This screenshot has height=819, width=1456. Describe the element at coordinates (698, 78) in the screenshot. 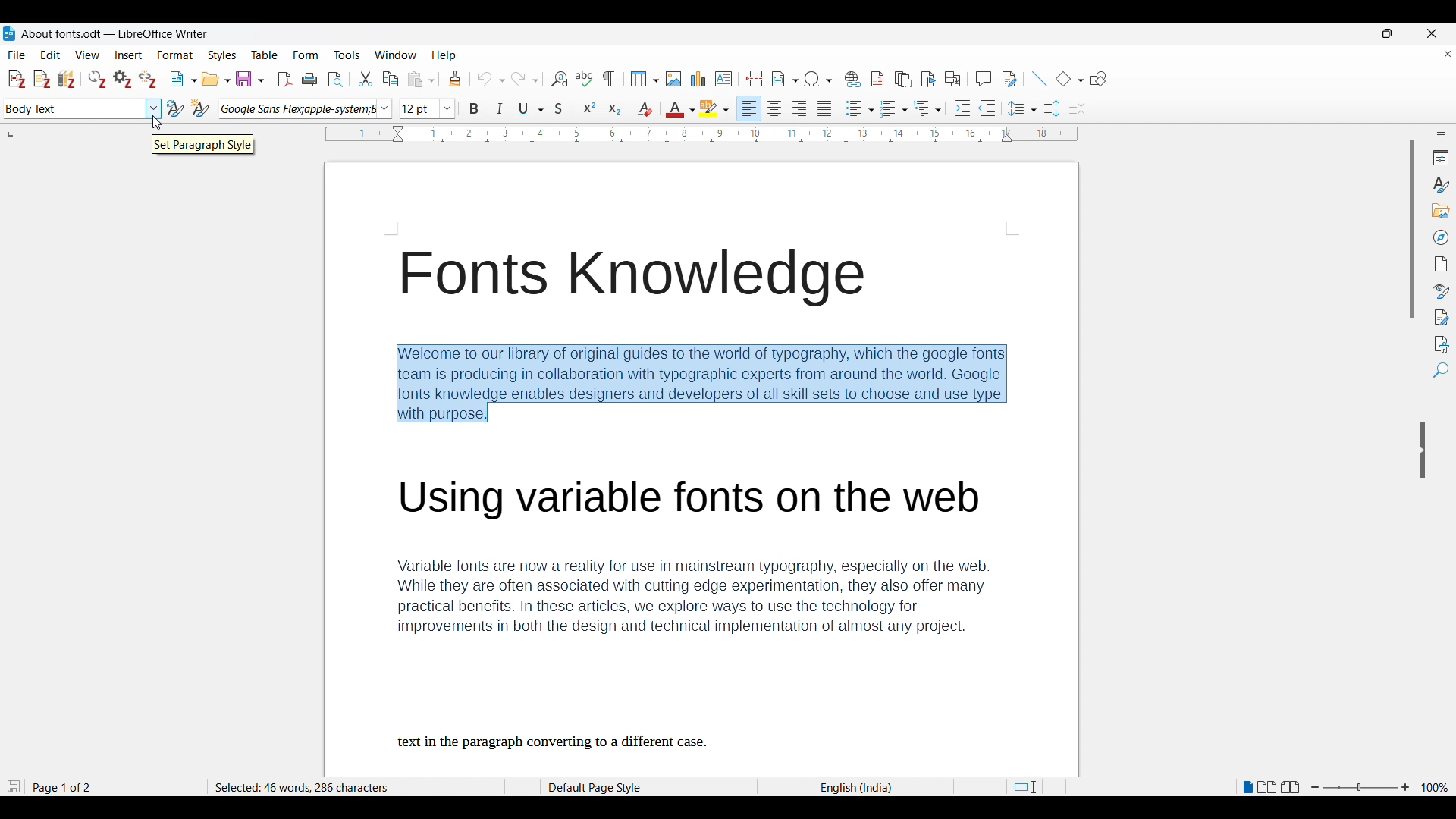

I see `Insert graph` at that location.